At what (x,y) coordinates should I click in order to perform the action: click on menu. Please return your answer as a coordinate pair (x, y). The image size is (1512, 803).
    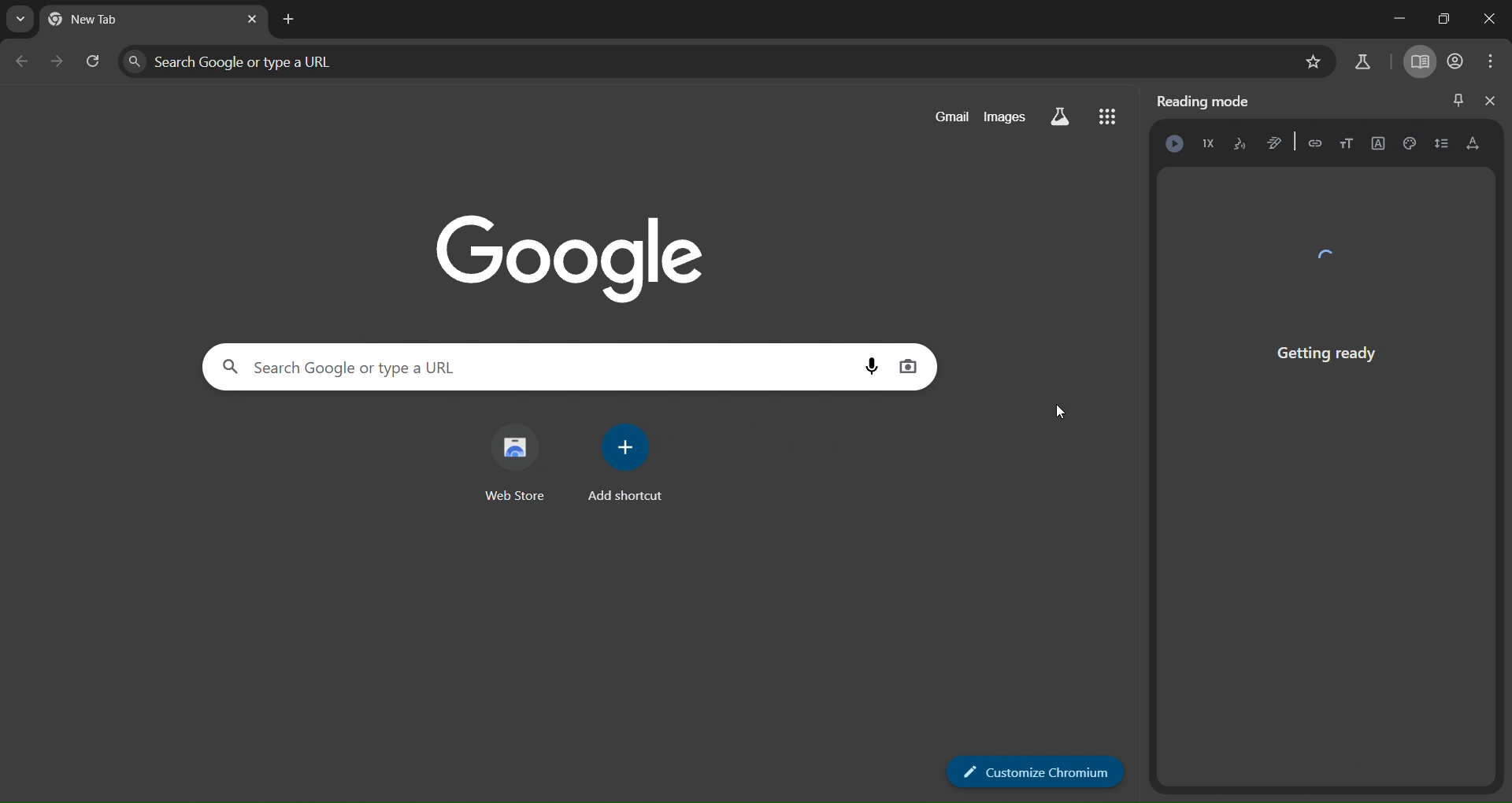
    Looking at the image, I should click on (1485, 60).